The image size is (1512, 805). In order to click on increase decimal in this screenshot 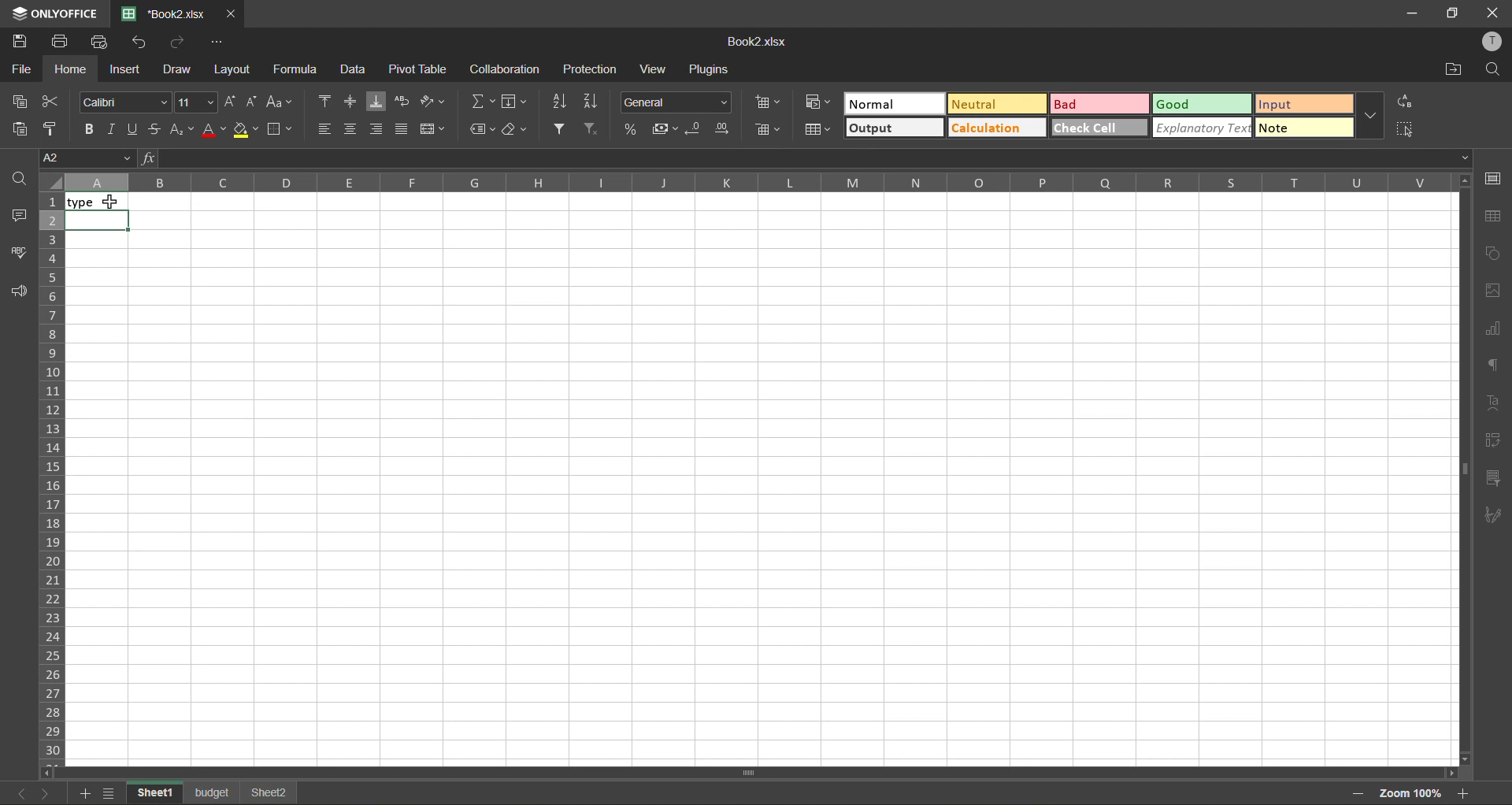, I will do `click(723, 129)`.